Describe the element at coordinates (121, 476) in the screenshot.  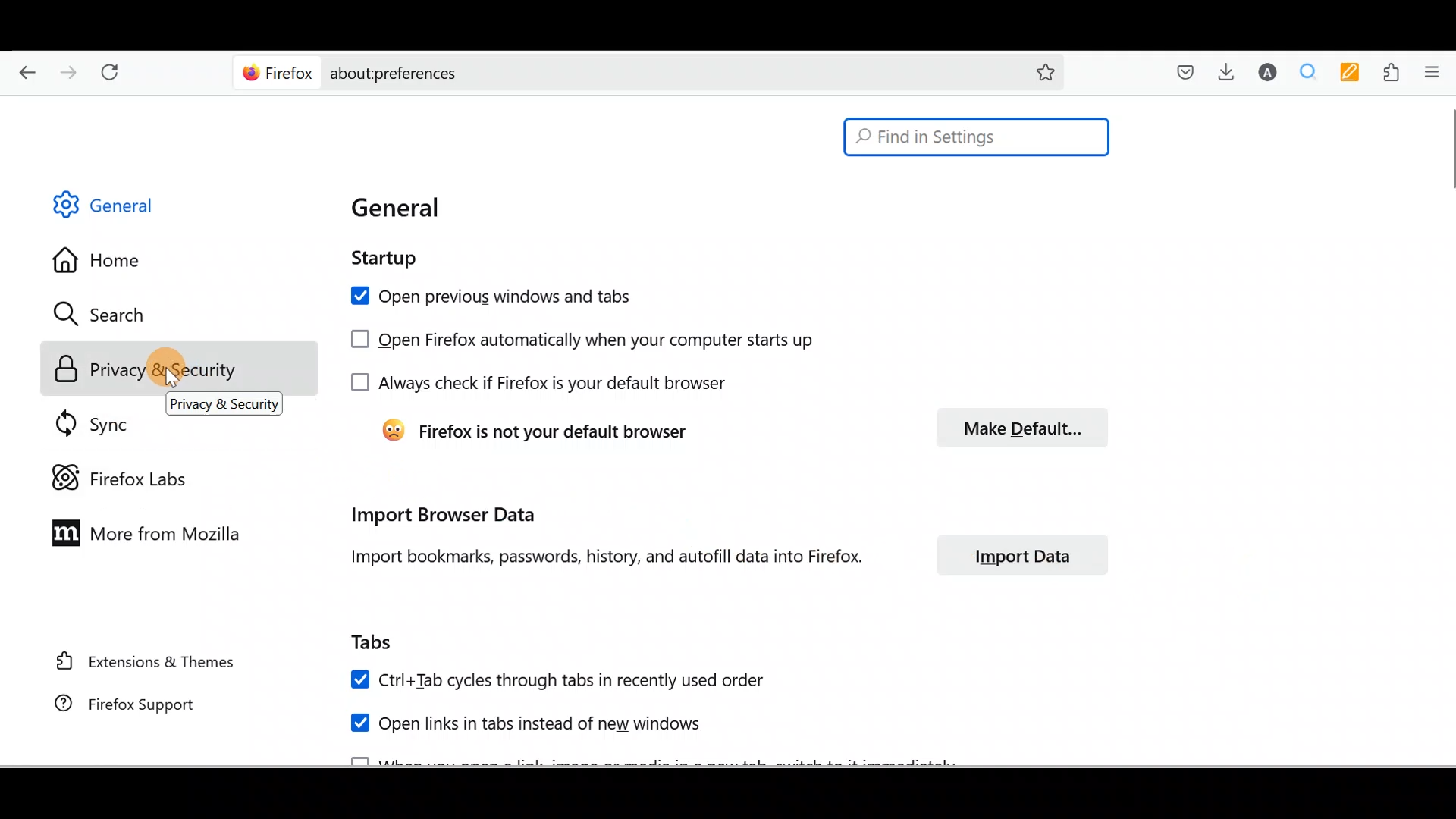
I see `Firefox labs` at that location.